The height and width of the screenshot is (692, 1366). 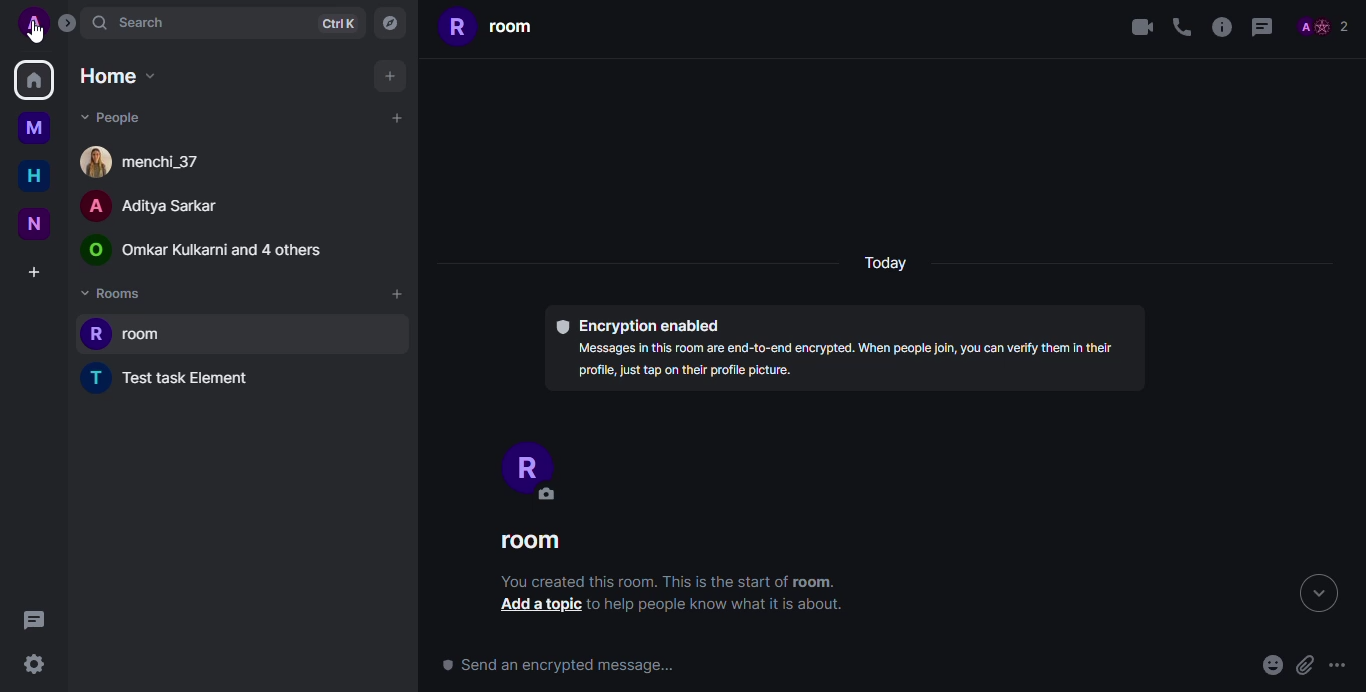 What do you see at coordinates (34, 80) in the screenshot?
I see `home` at bounding box center [34, 80].